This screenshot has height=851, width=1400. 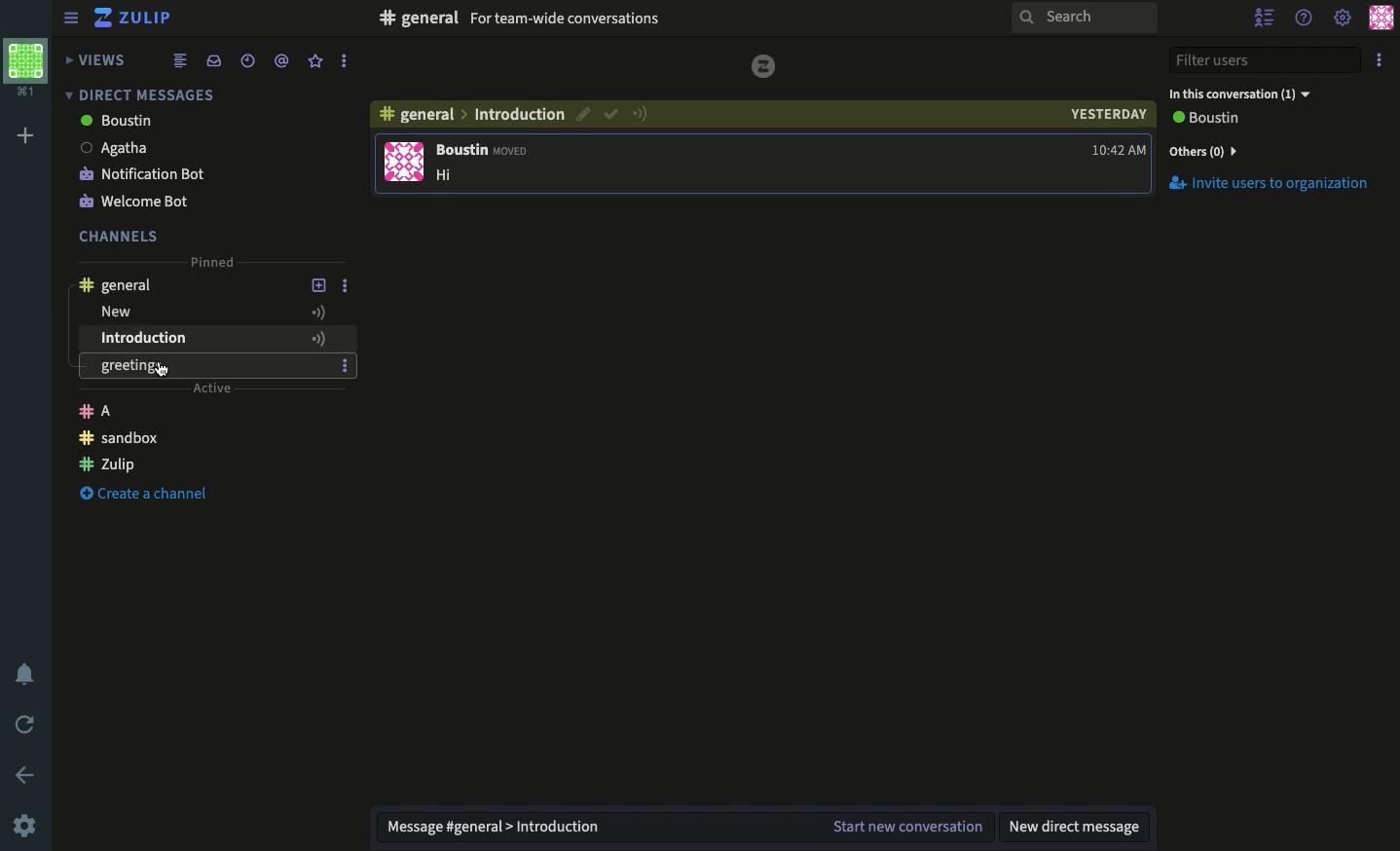 I want to click on Search, so click(x=1083, y=18).